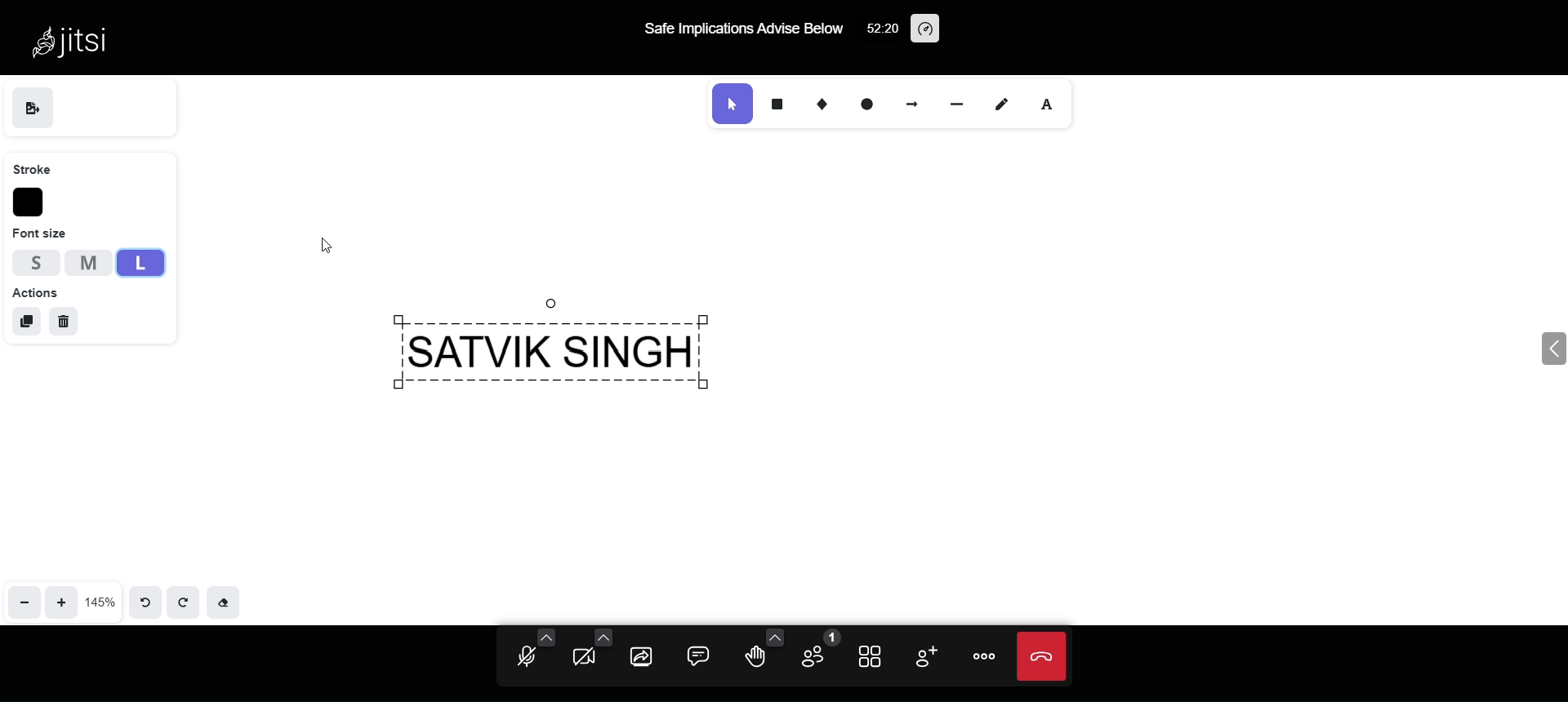 This screenshot has width=1568, height=702. Describe the element at coordinates (30, 203) in the screenshot. I see `color selector` at that location.